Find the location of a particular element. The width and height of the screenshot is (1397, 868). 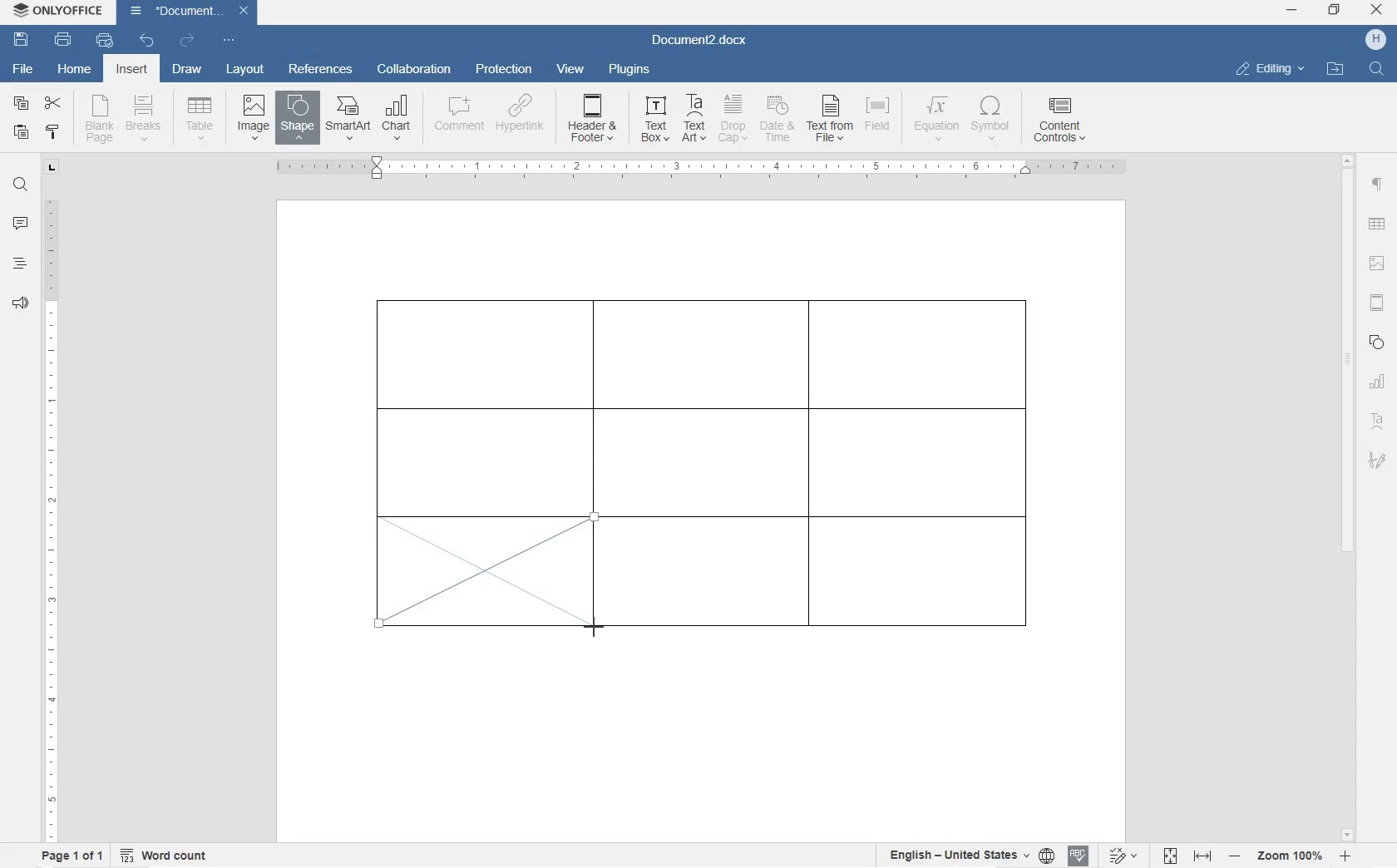

quick print is located at coordinates (105, 40).